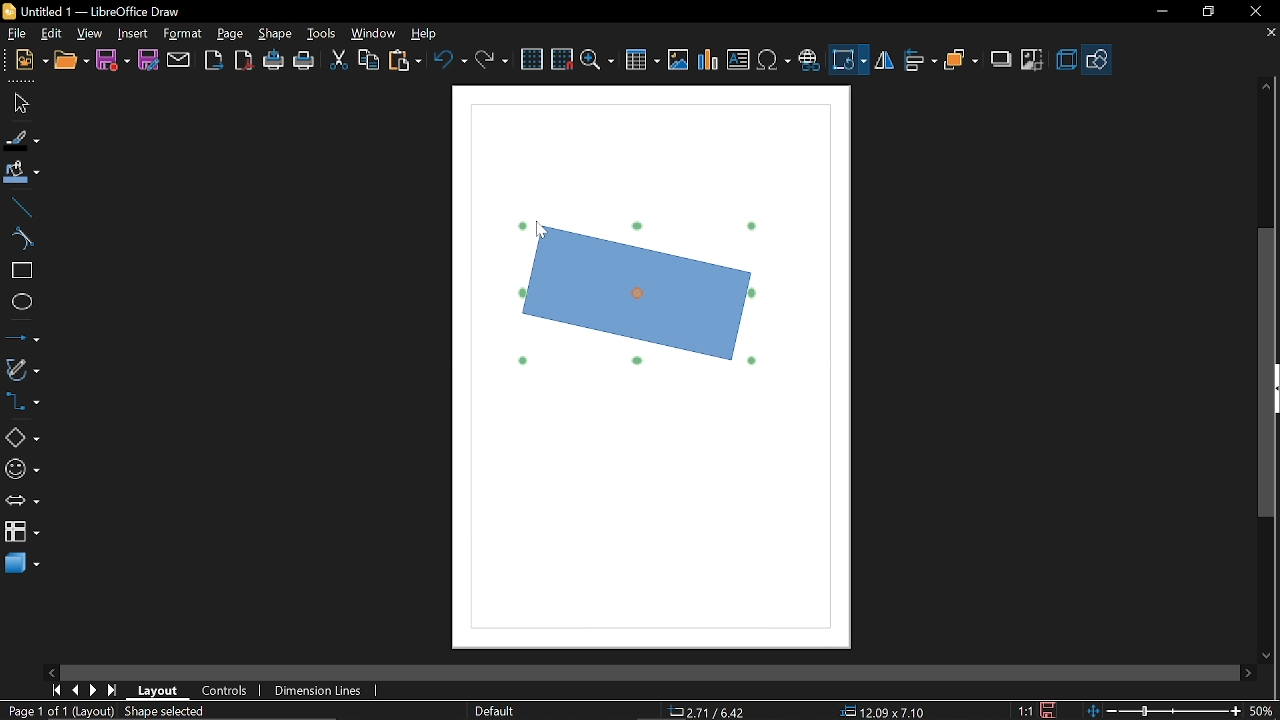 The height and width of the screenshot is (720, 1280). Describe the element at coordinates (1270, 34) in the screenshot. I see `close tab` at that location.